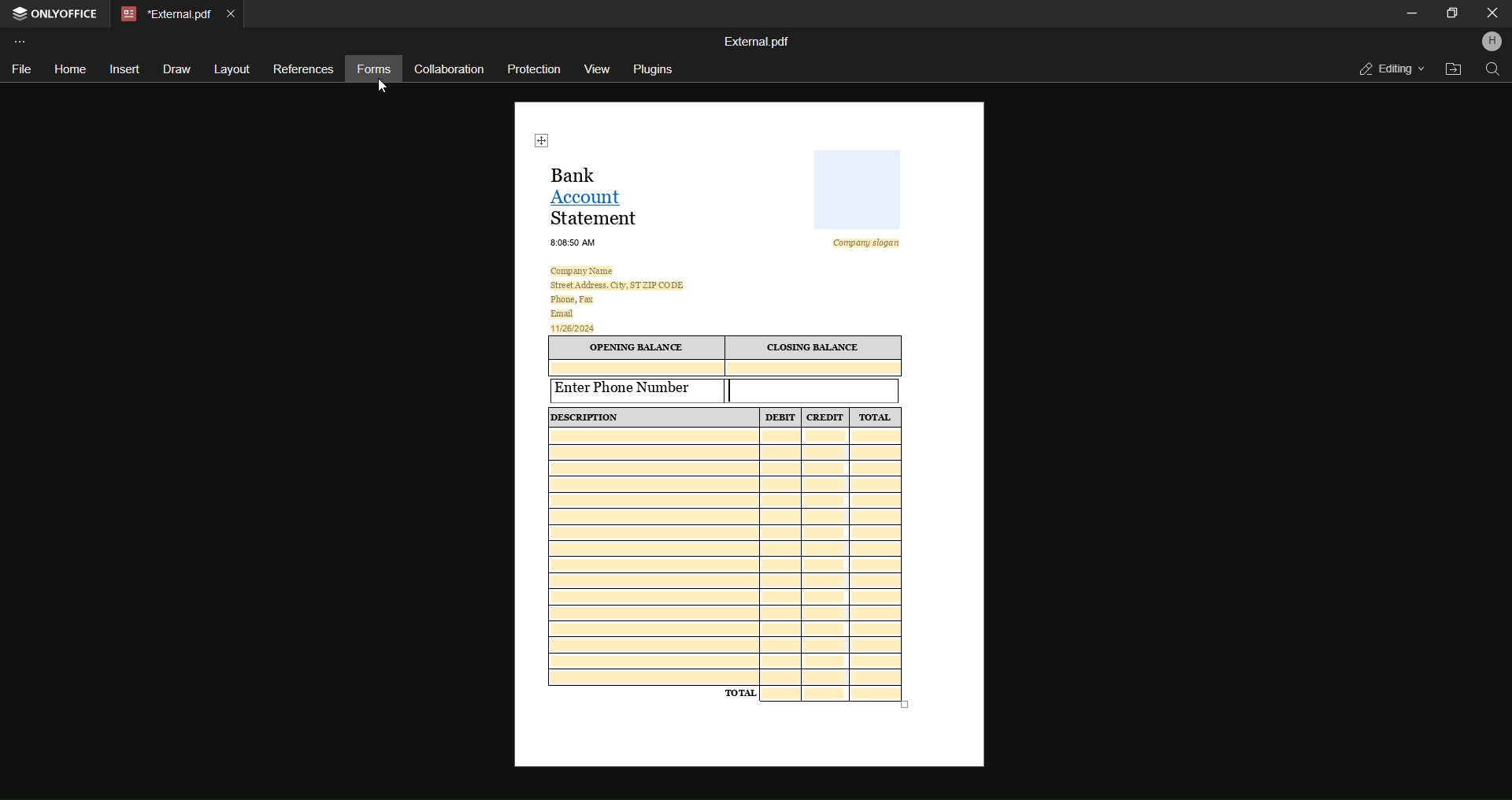 This screenshot has height=800, width=1512. I want to click on profile, so click(1491, 43).